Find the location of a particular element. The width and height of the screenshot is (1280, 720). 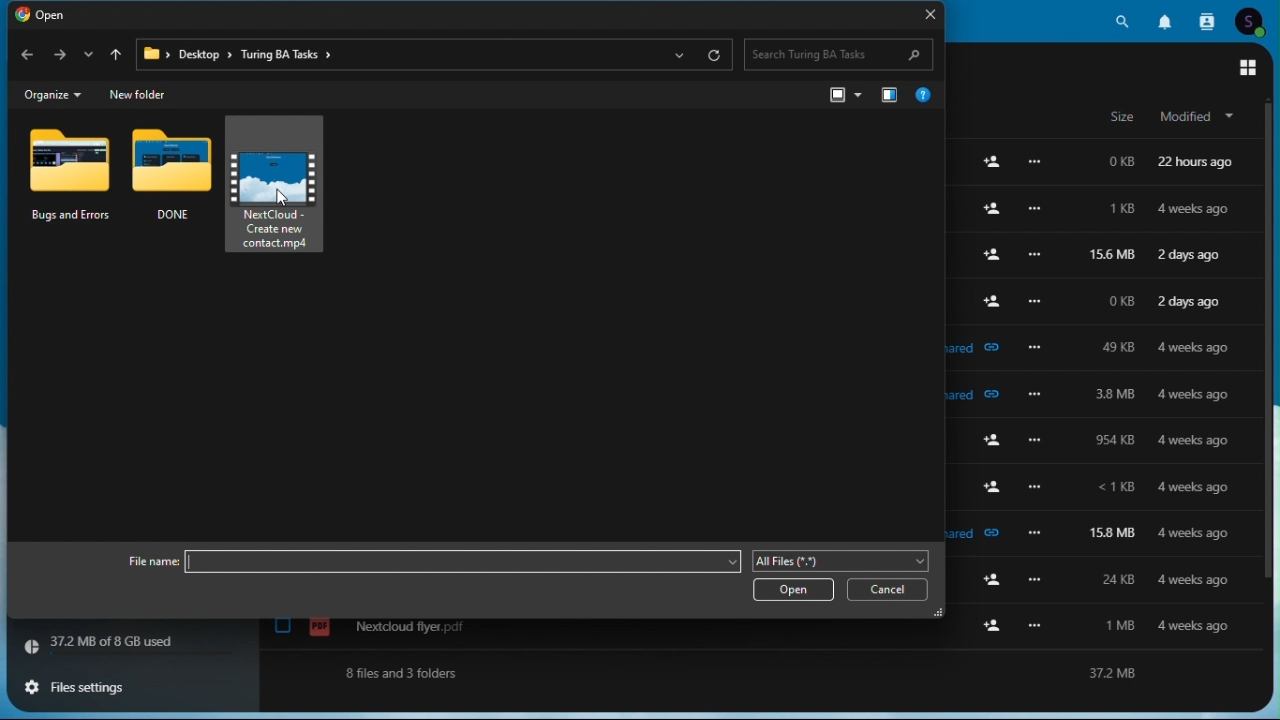

open is located at coordinates (791, 591).